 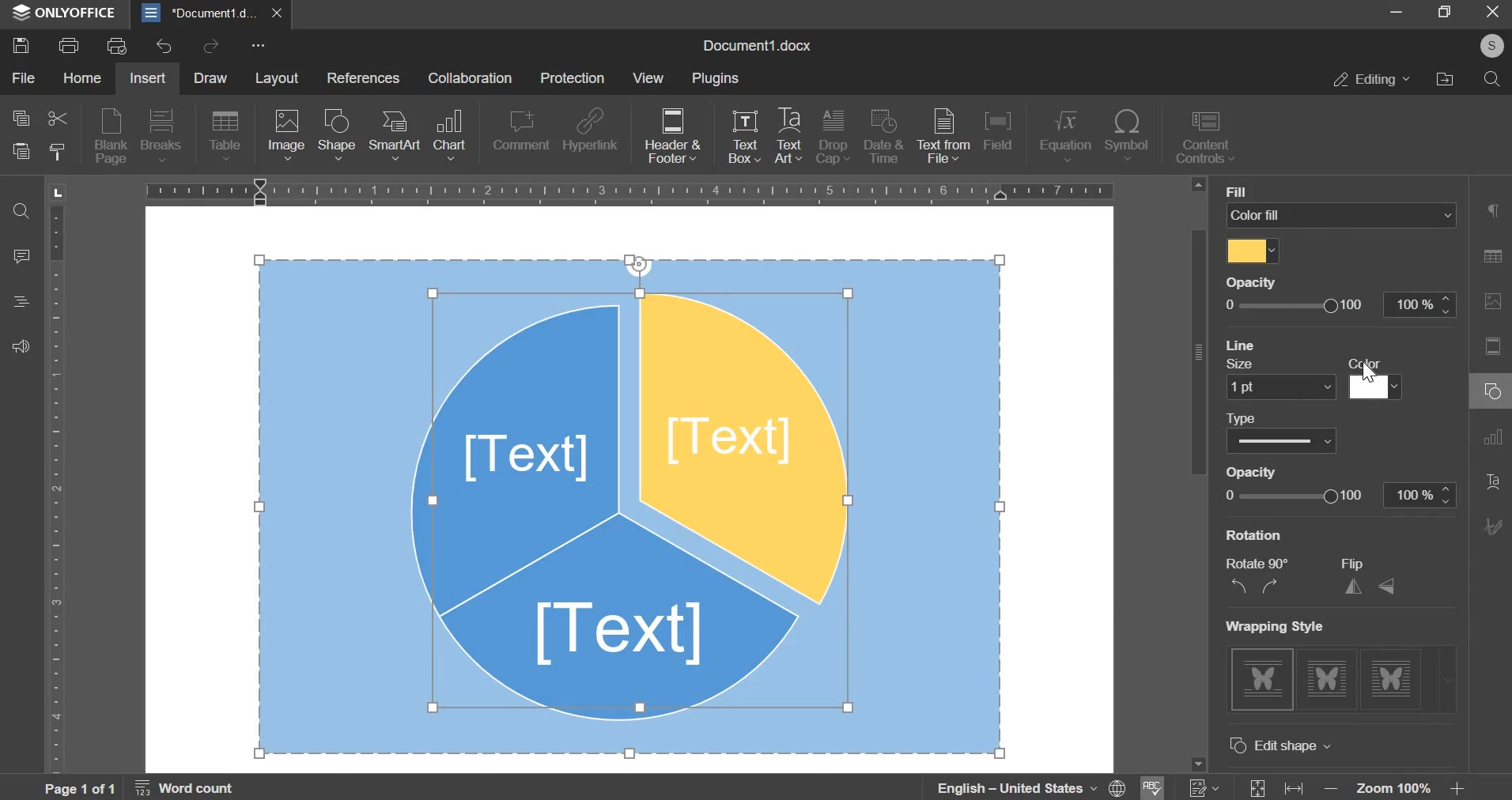 What do you see at coordinates (943, 136) in the screenshot?
I see `text from file` at bounding box center [943, 136].